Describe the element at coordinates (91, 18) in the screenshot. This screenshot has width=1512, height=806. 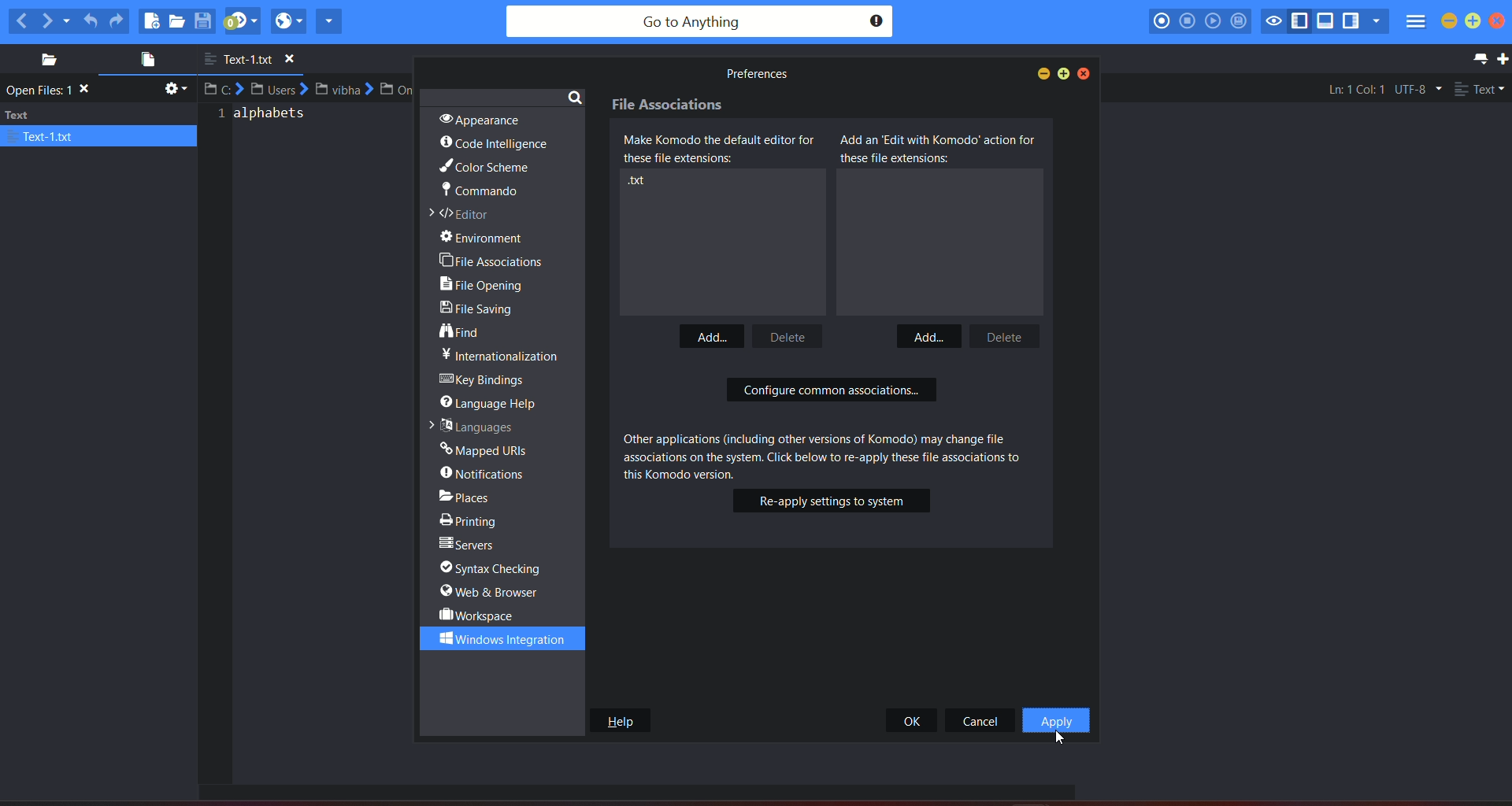
I see `undo` at that location.